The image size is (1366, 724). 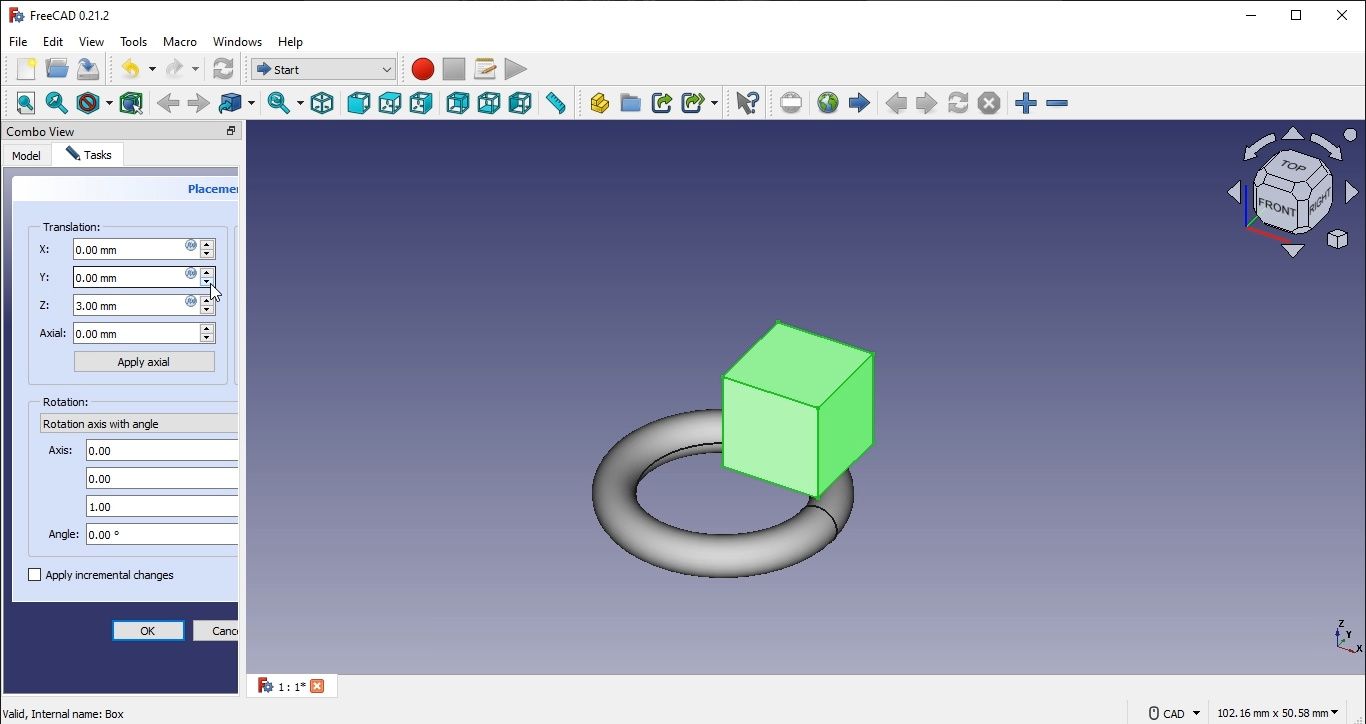 I want to click on redo, so click(x=184, y=67).